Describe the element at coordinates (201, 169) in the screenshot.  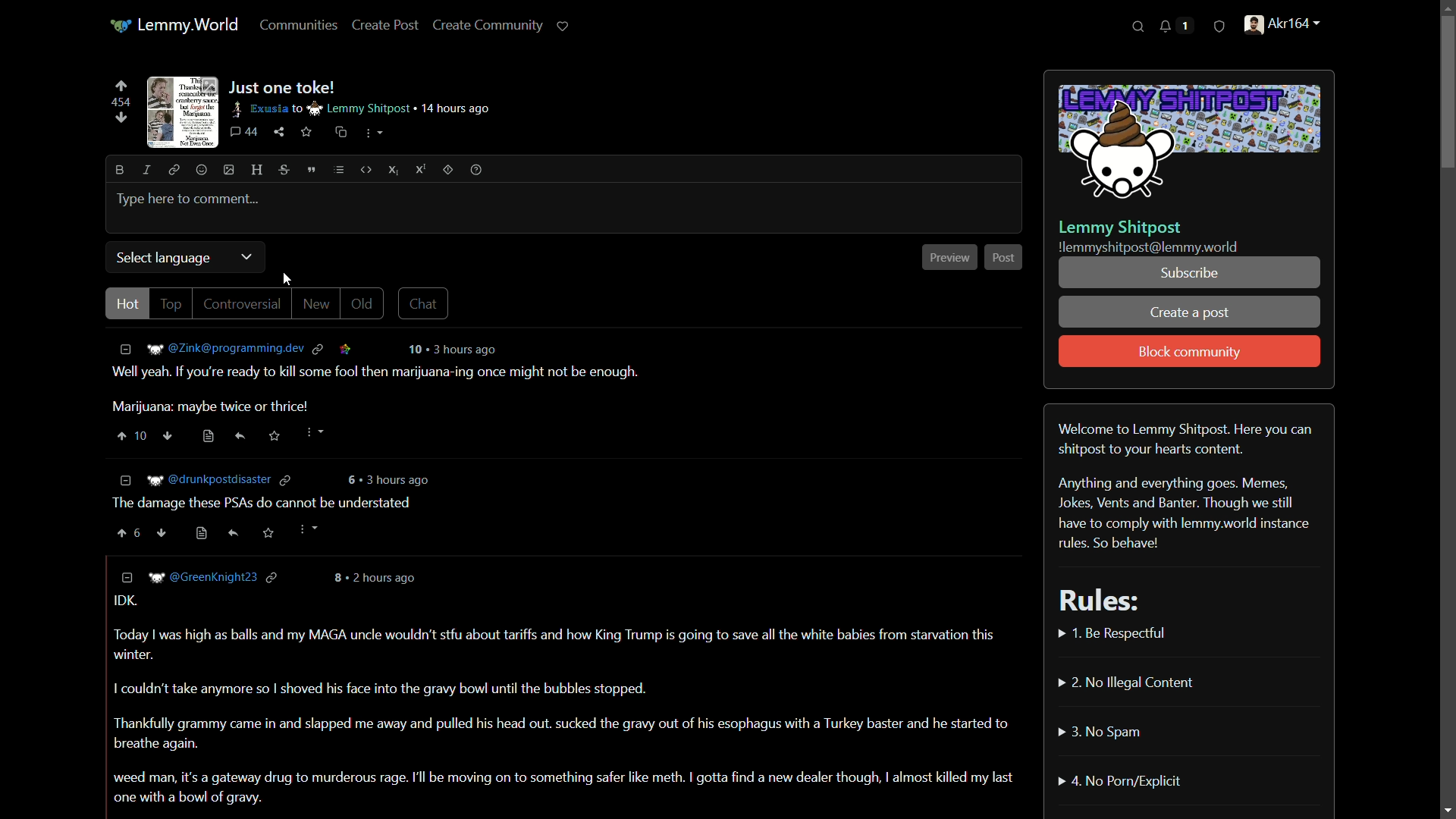
I see `emoji` at that location.